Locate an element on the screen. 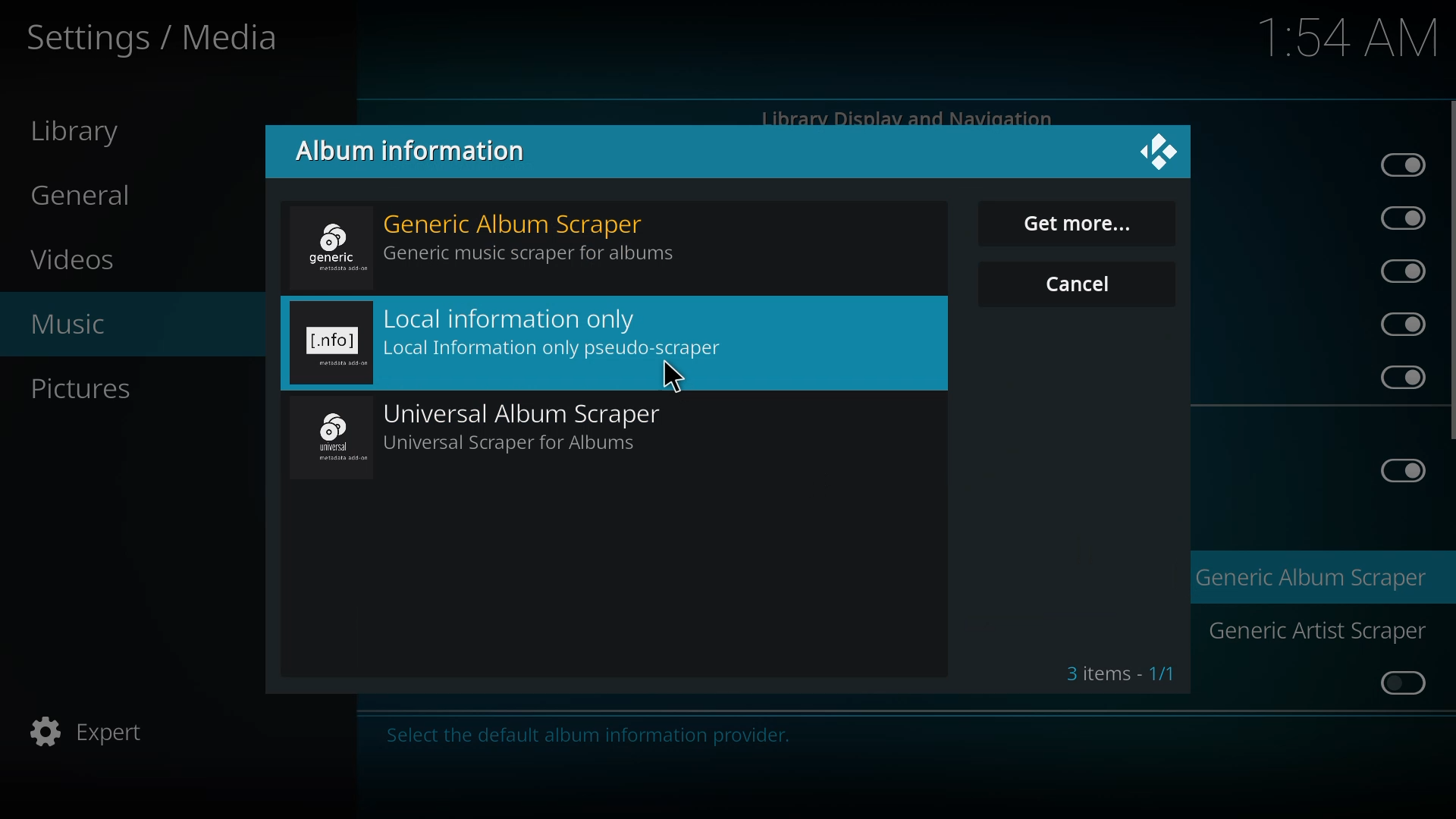 The width and height of the screenshot is (1456, 819). library is located at coordinates (82, 132).